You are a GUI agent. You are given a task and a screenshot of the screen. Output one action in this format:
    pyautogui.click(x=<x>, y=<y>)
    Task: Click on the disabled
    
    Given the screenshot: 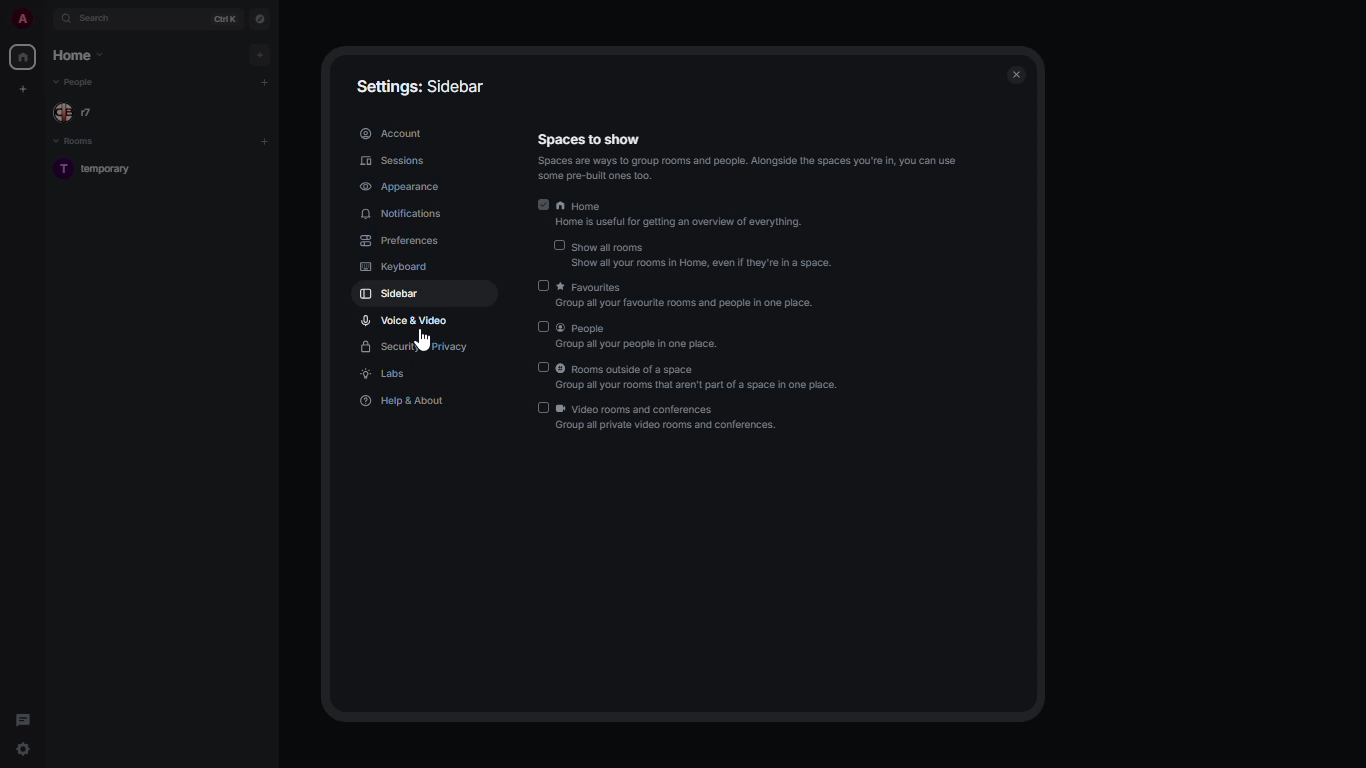 What is the action you would take?
    pyautogui.click(x=541, y=327)
    